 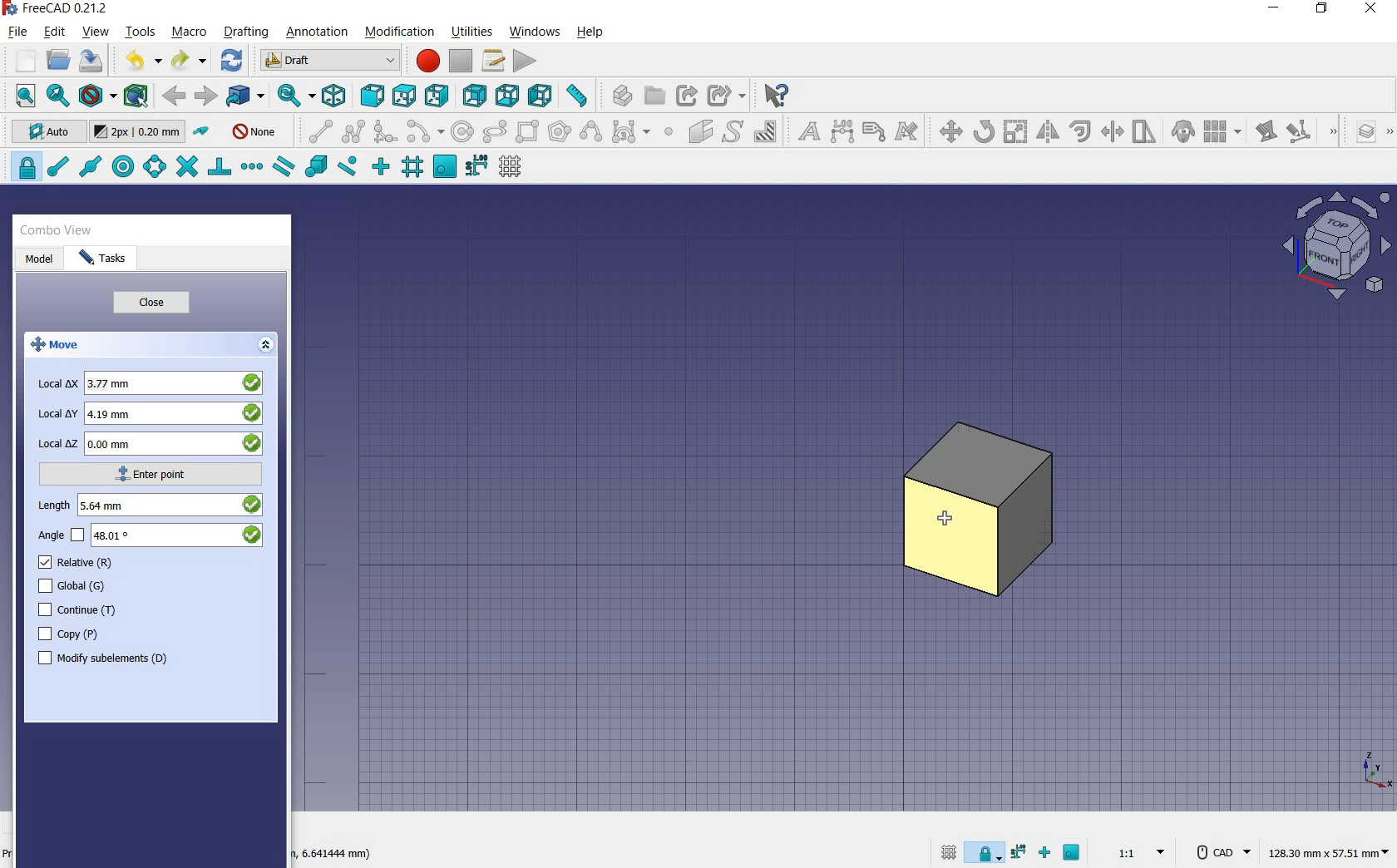 I want to click on snap midpoint, so click(x=91, y=167).